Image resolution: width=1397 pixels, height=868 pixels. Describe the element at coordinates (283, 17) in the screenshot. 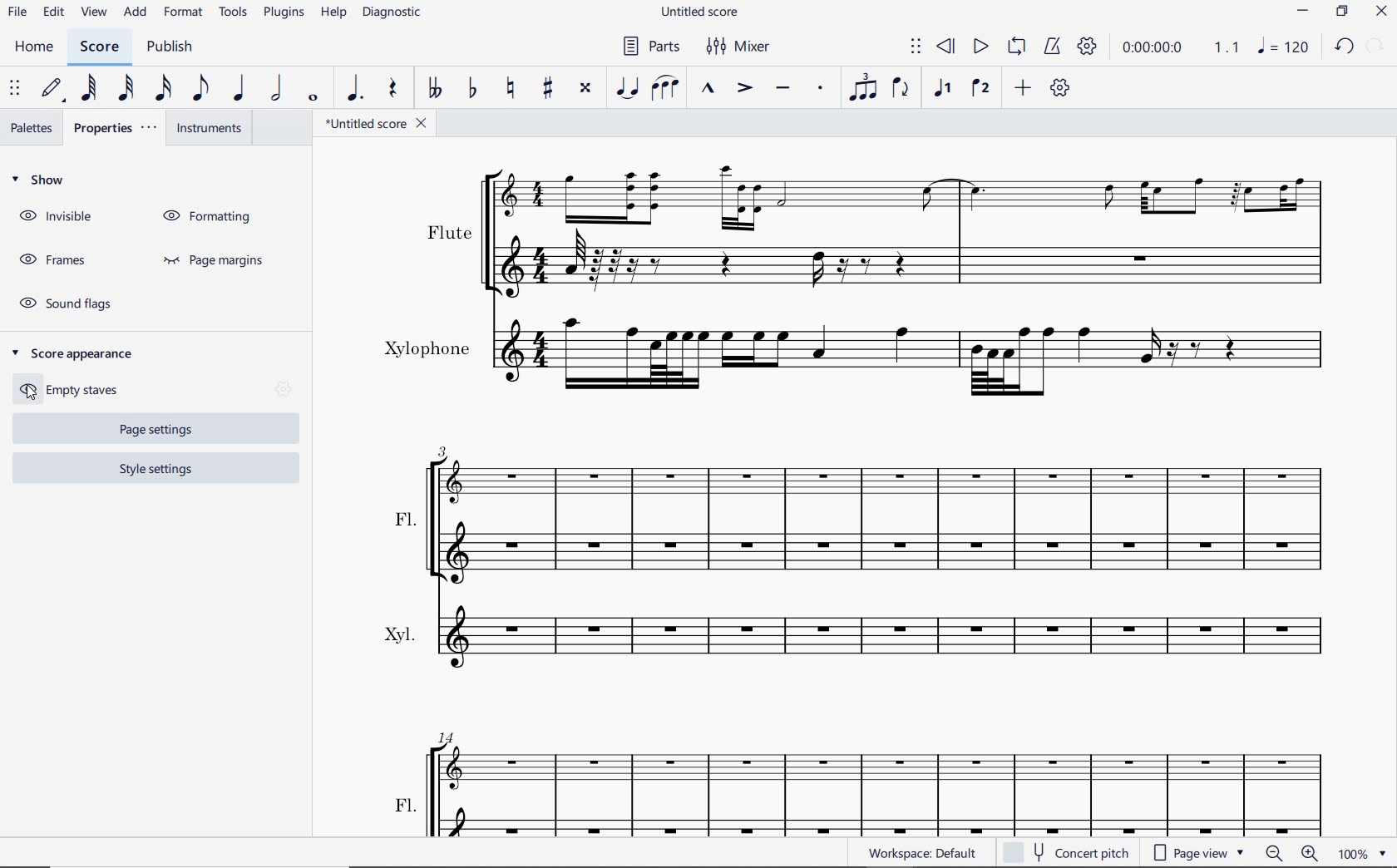

I see `PLUGINS` at that location.